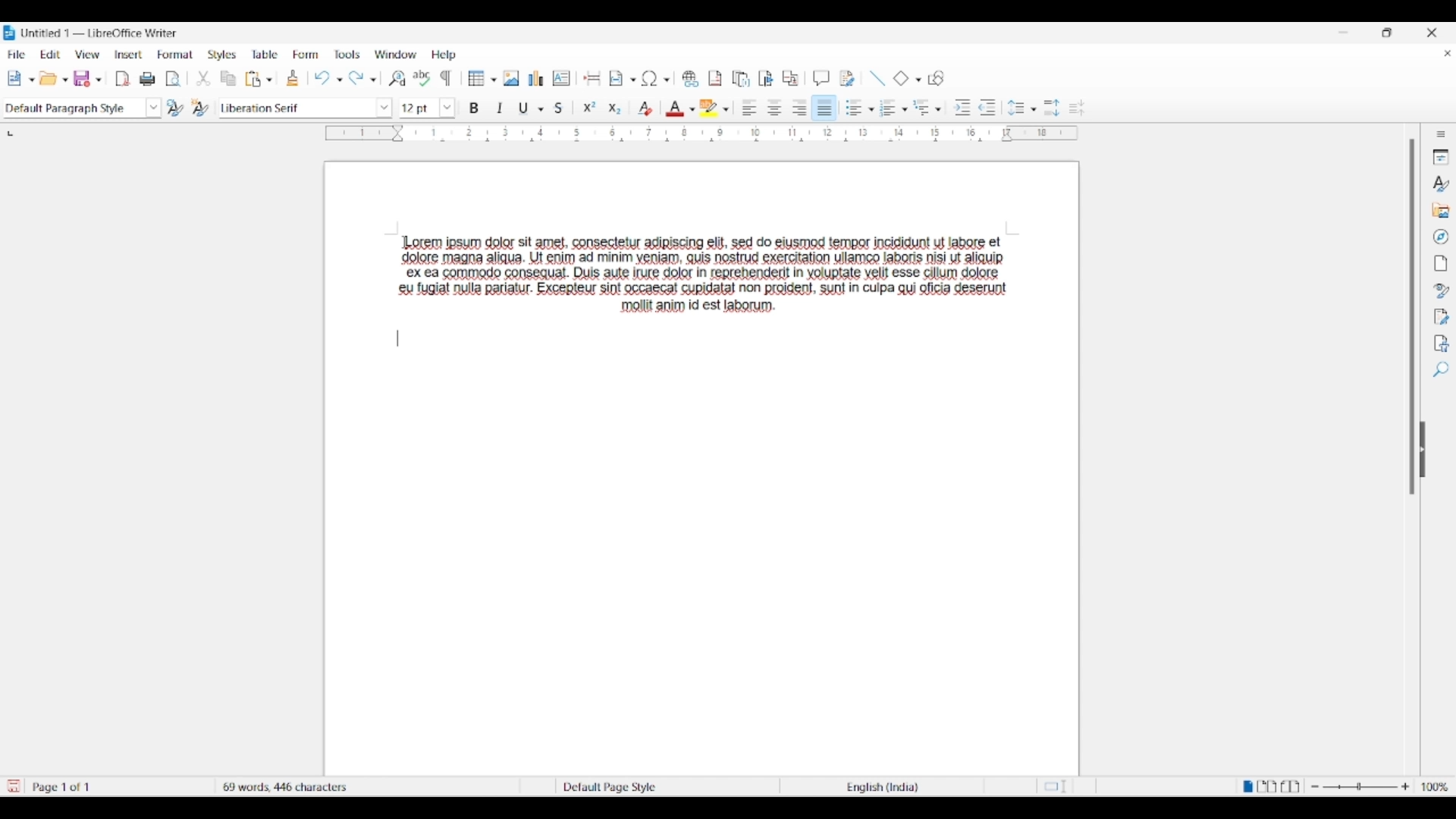  What do you see at coordinates (347, 55) in the screenshot?
I see `Tools` at bounding box center [347, 55].